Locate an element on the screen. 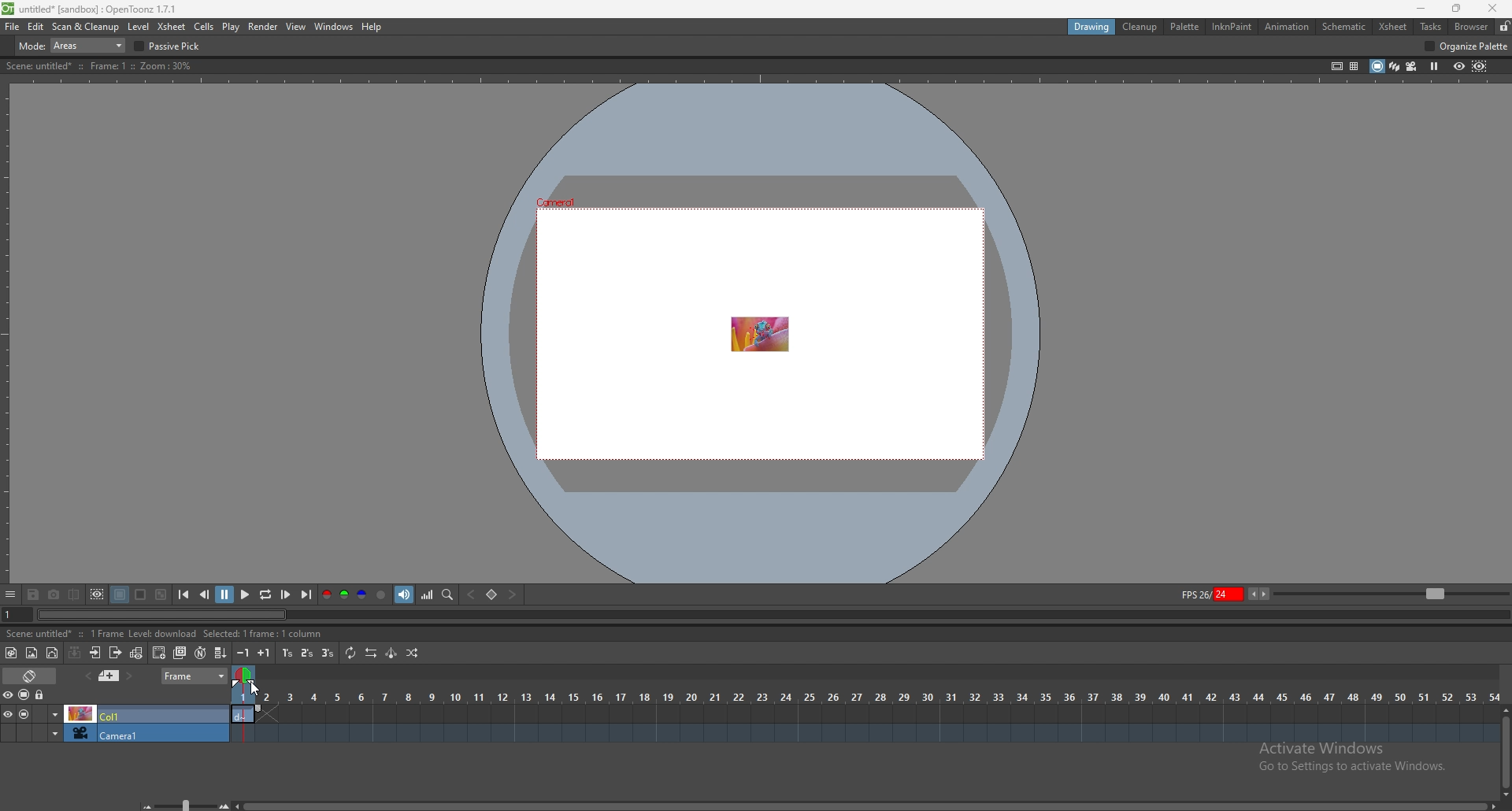  new raster level` is located at coordinates (31, 653).